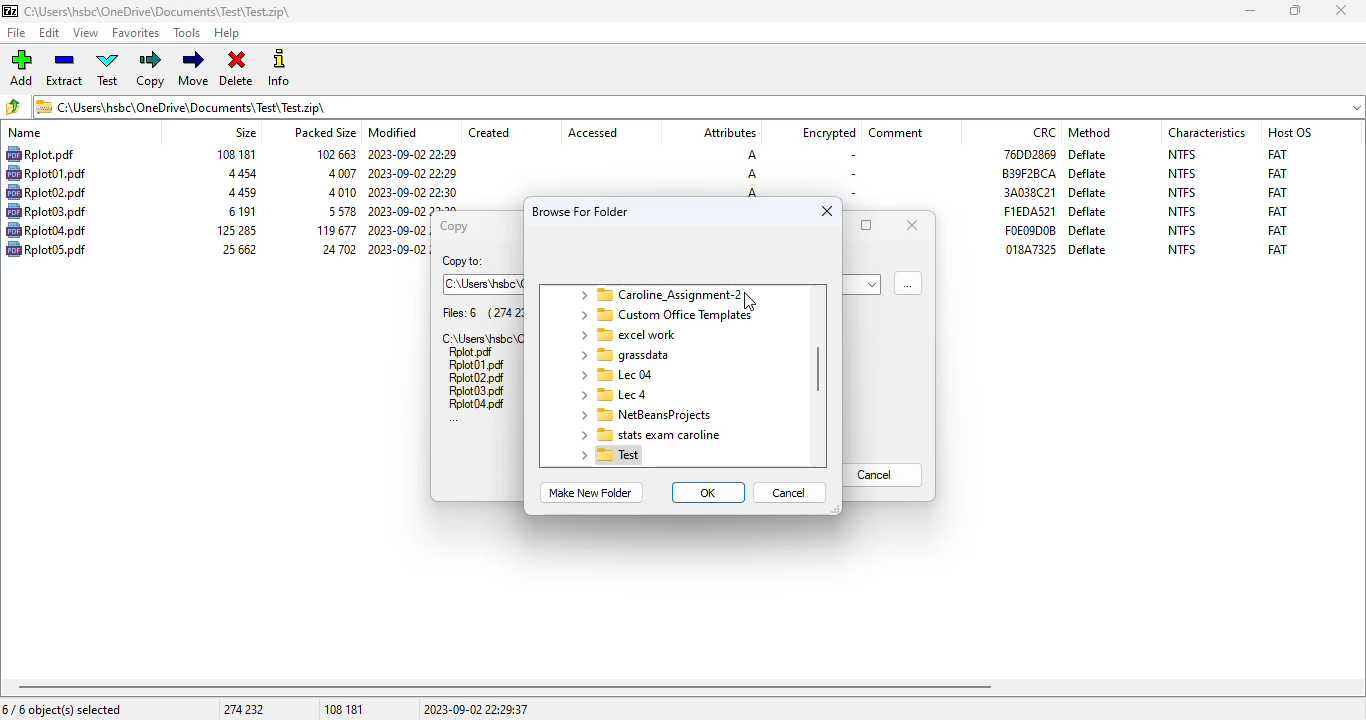 Image resolution: width=1366 pixels, height=720 pixels. I want to click on close, so click(827, 211).